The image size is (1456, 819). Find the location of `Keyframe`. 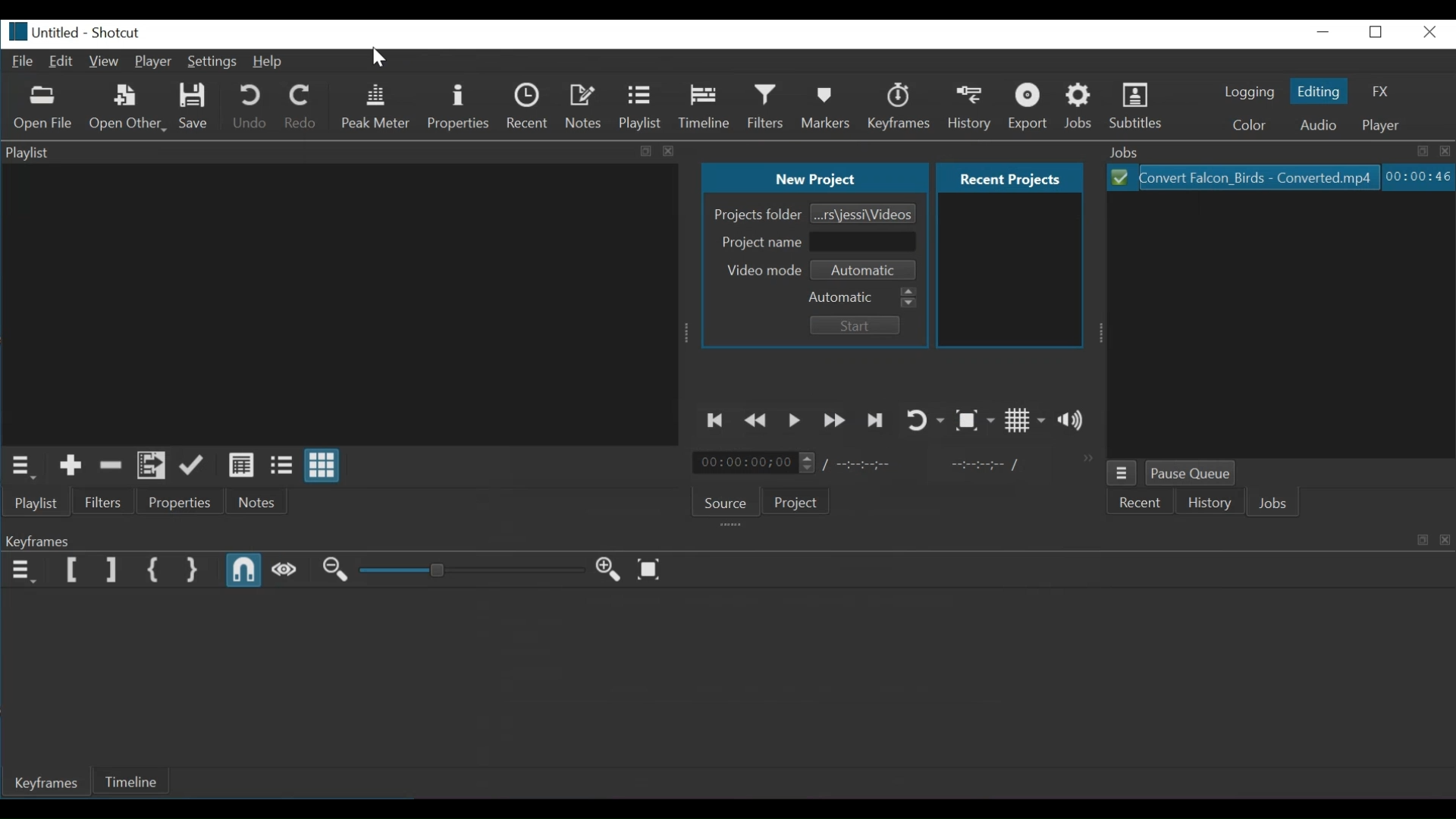

Keyframe is located at coordinates (725, 541).